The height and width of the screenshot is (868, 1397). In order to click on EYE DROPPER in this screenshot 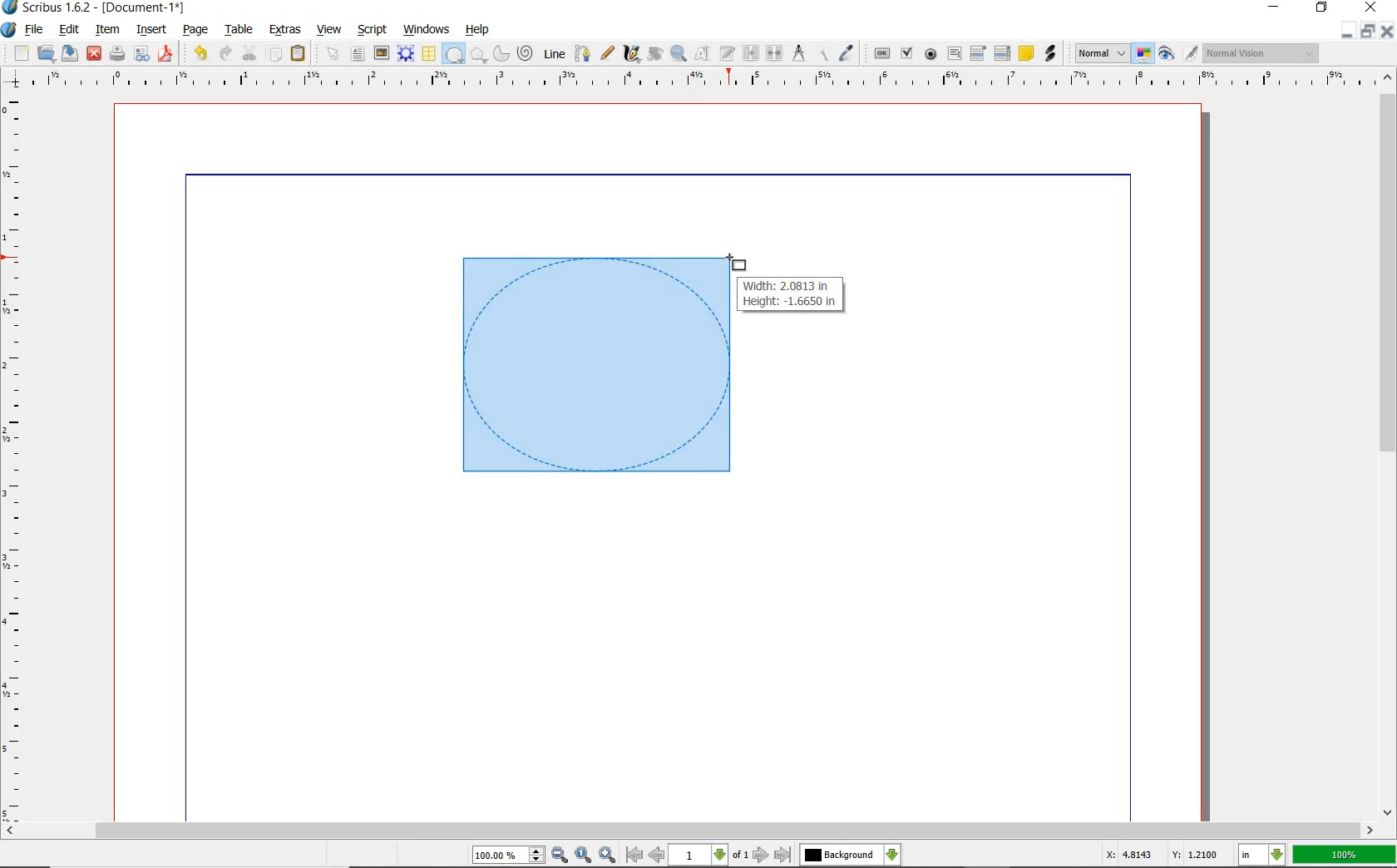, I will do `click(847, 54)`.